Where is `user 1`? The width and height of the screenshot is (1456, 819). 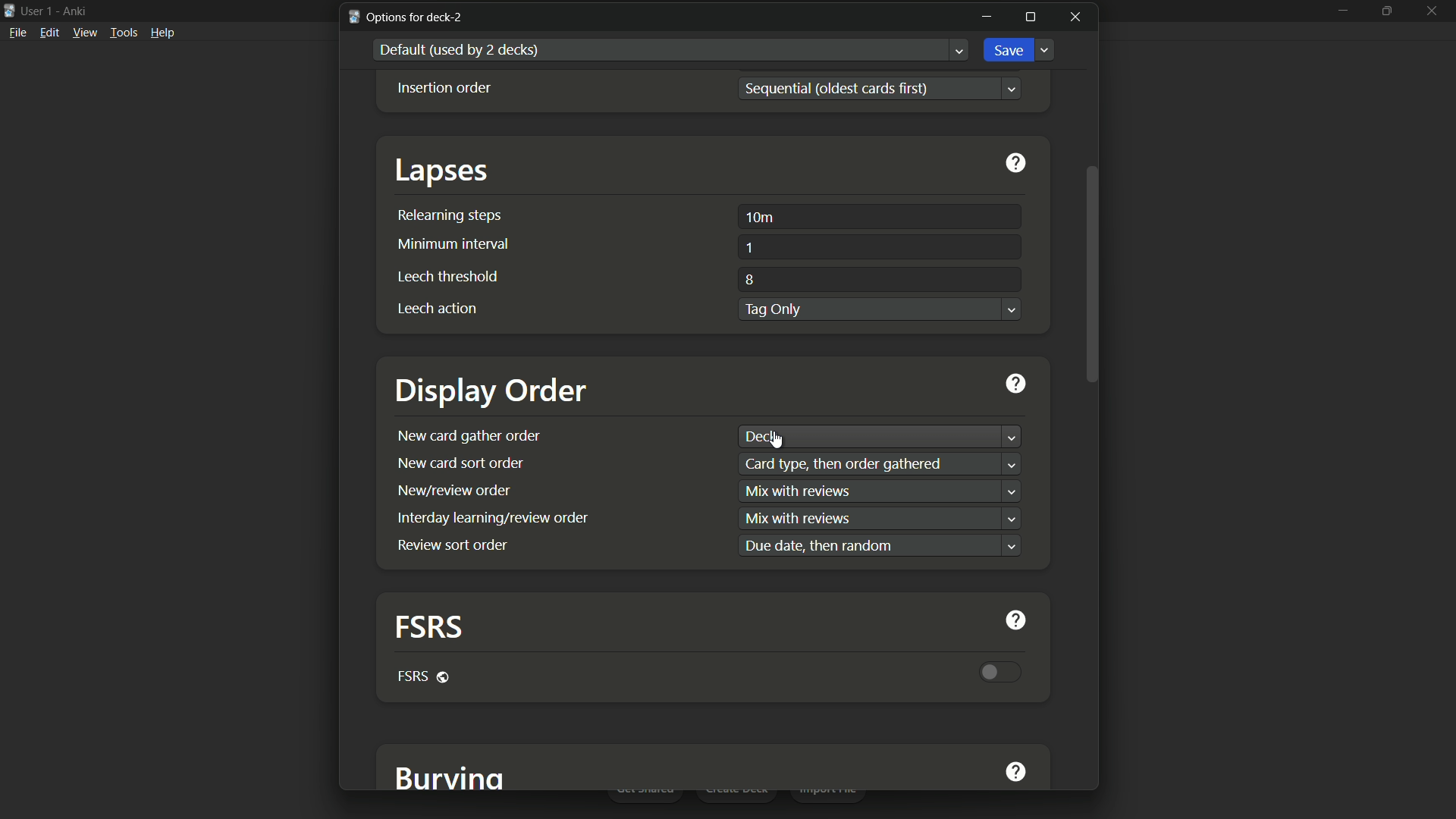
user 1 is located at coordinates (38, 11).